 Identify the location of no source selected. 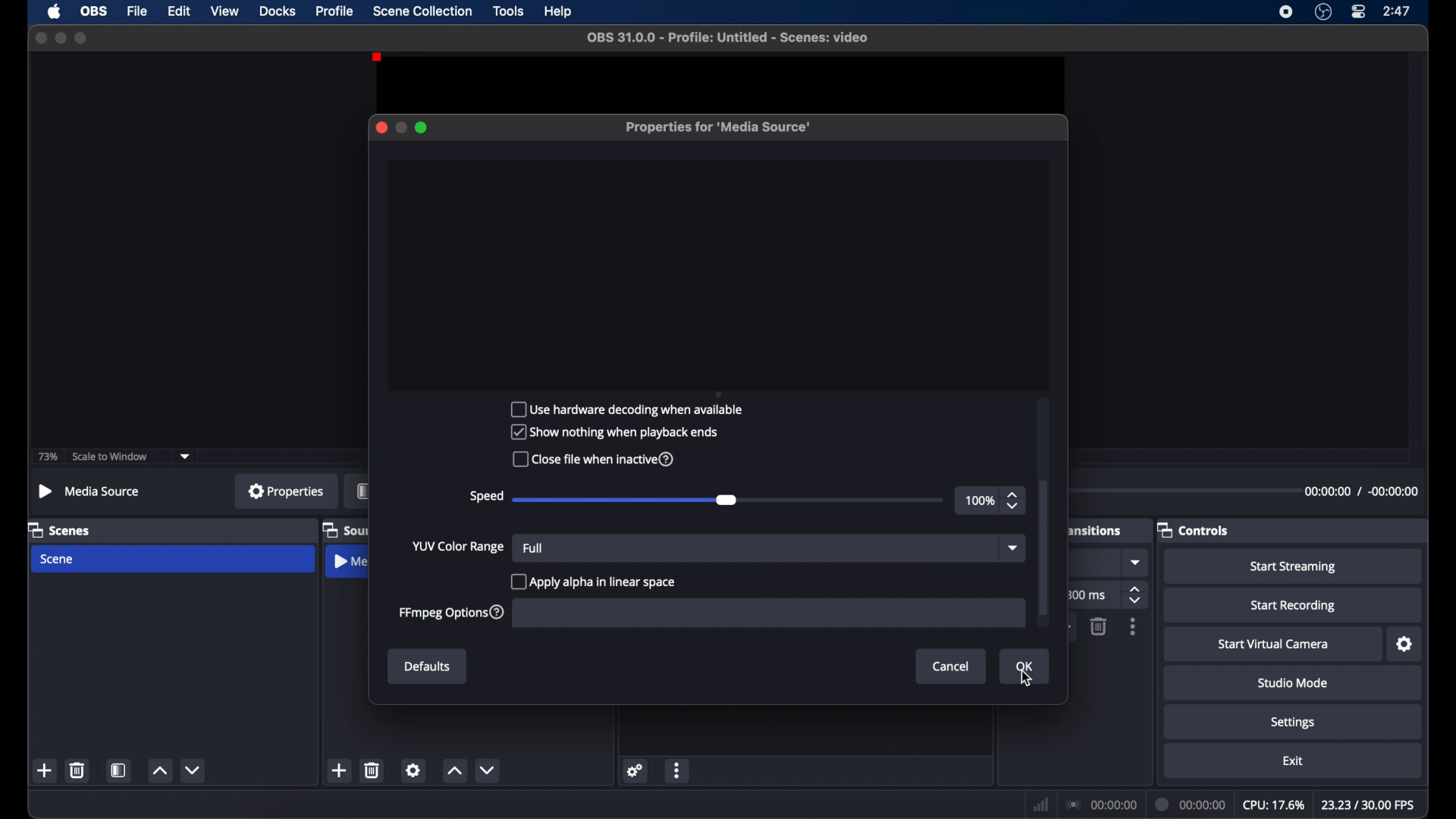
(89, 491).